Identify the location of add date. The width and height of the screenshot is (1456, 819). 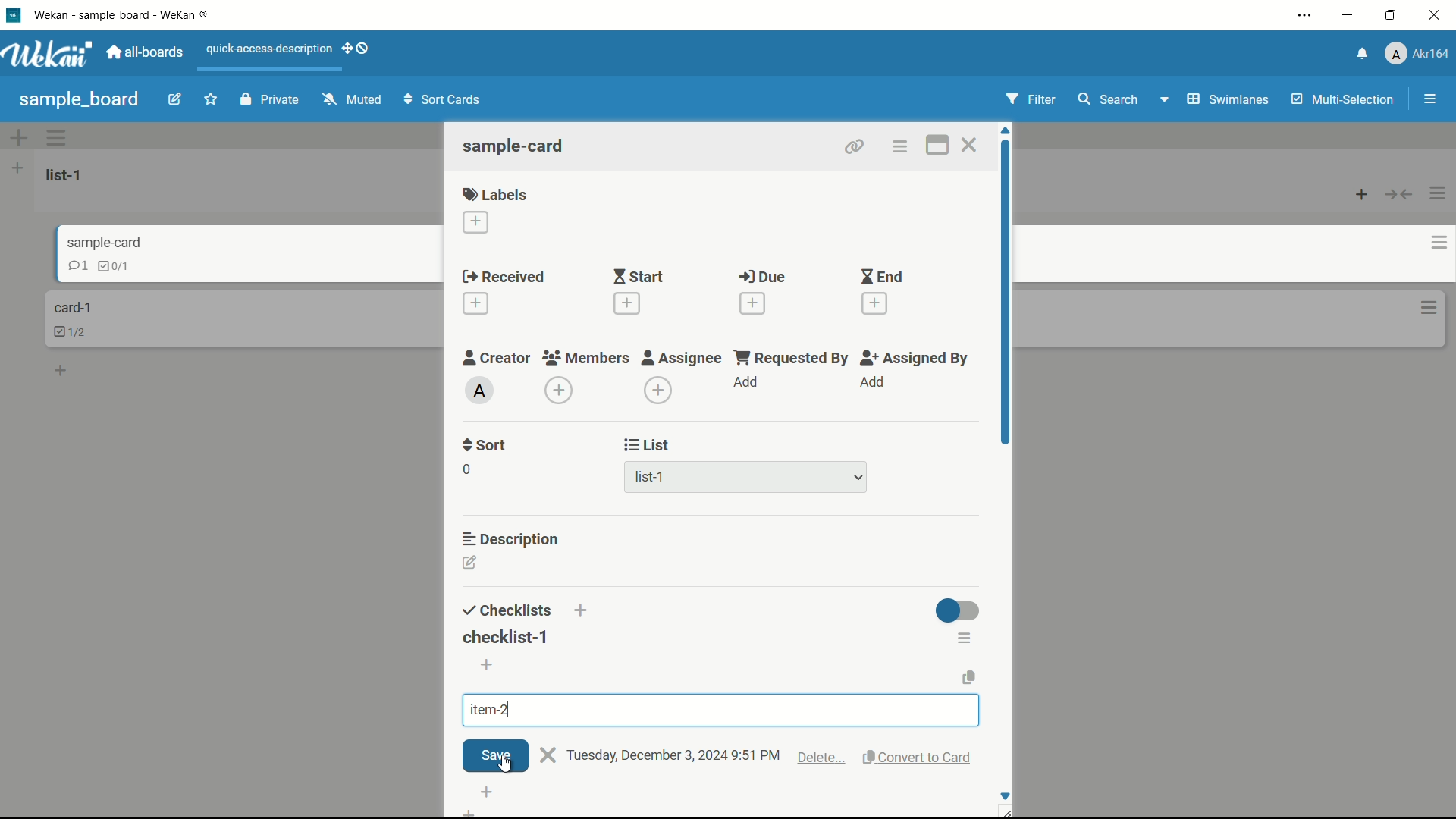
(754, 303).